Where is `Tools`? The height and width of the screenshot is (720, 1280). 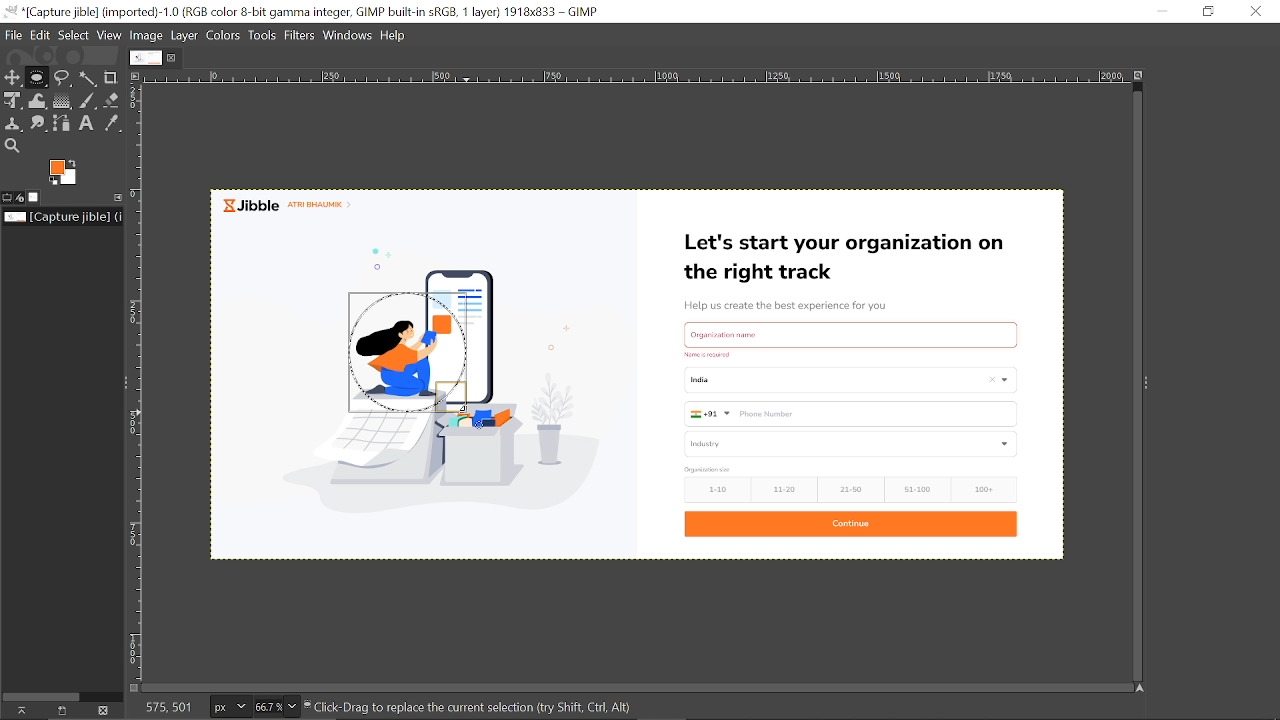 Tools is located at coordinates (264, 35).